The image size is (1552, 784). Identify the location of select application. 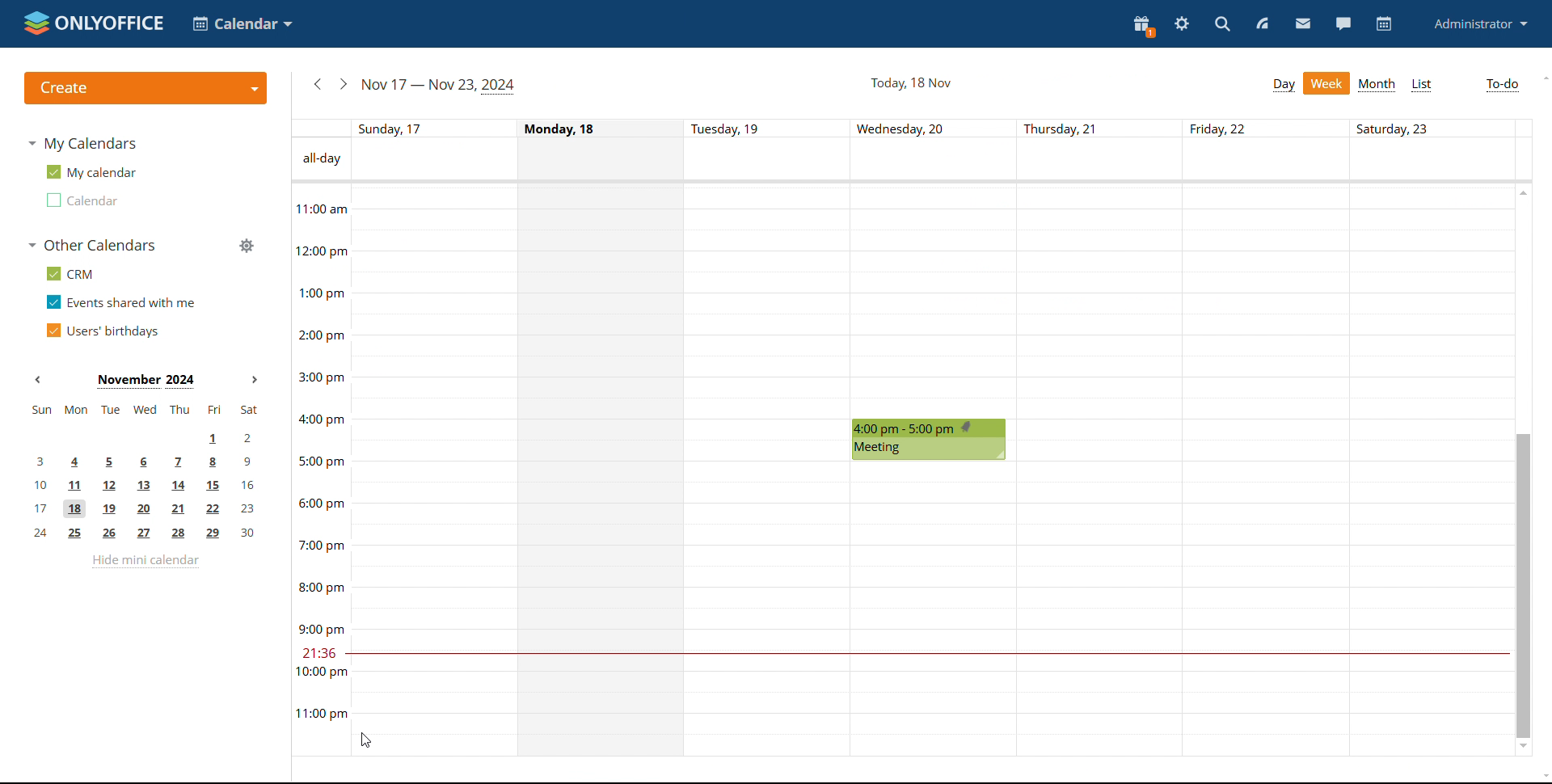
(242, 23).